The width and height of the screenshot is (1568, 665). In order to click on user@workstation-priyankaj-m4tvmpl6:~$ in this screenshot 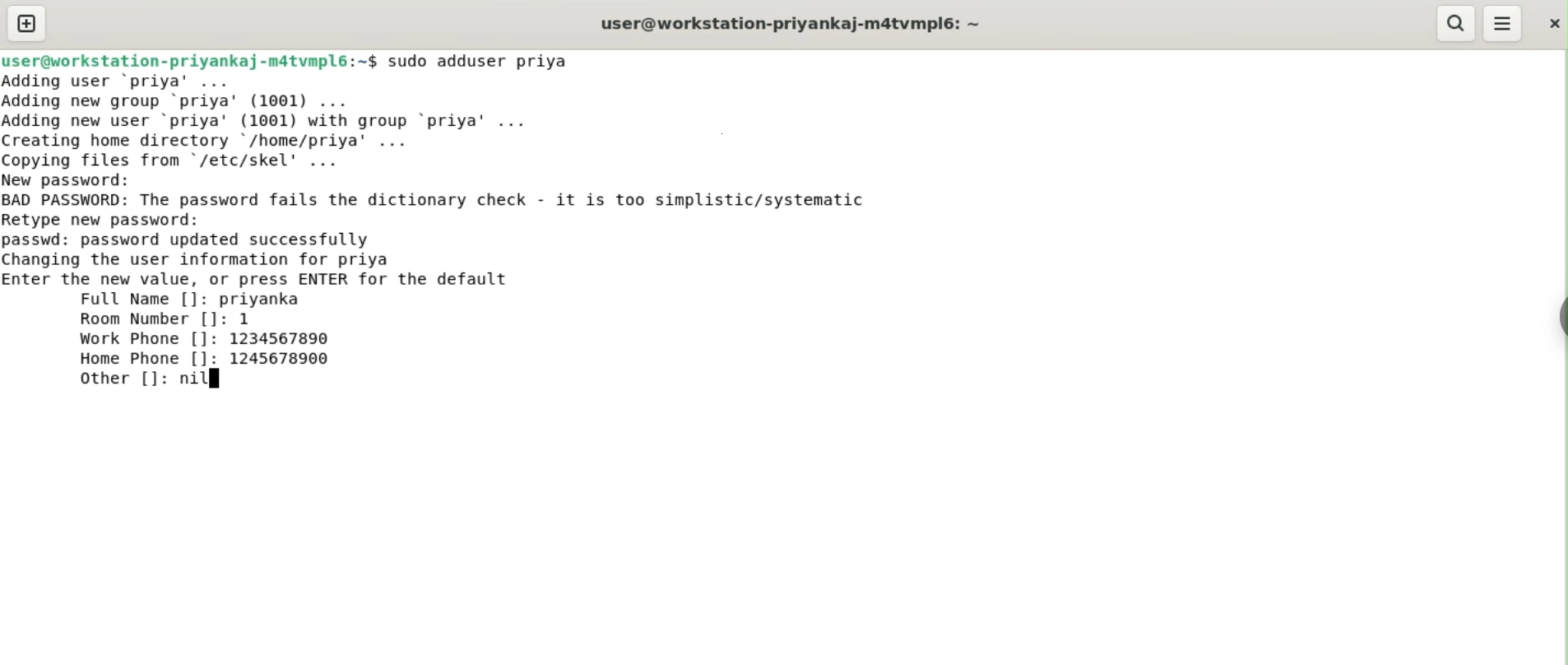, I will do `click(189, 58)`.